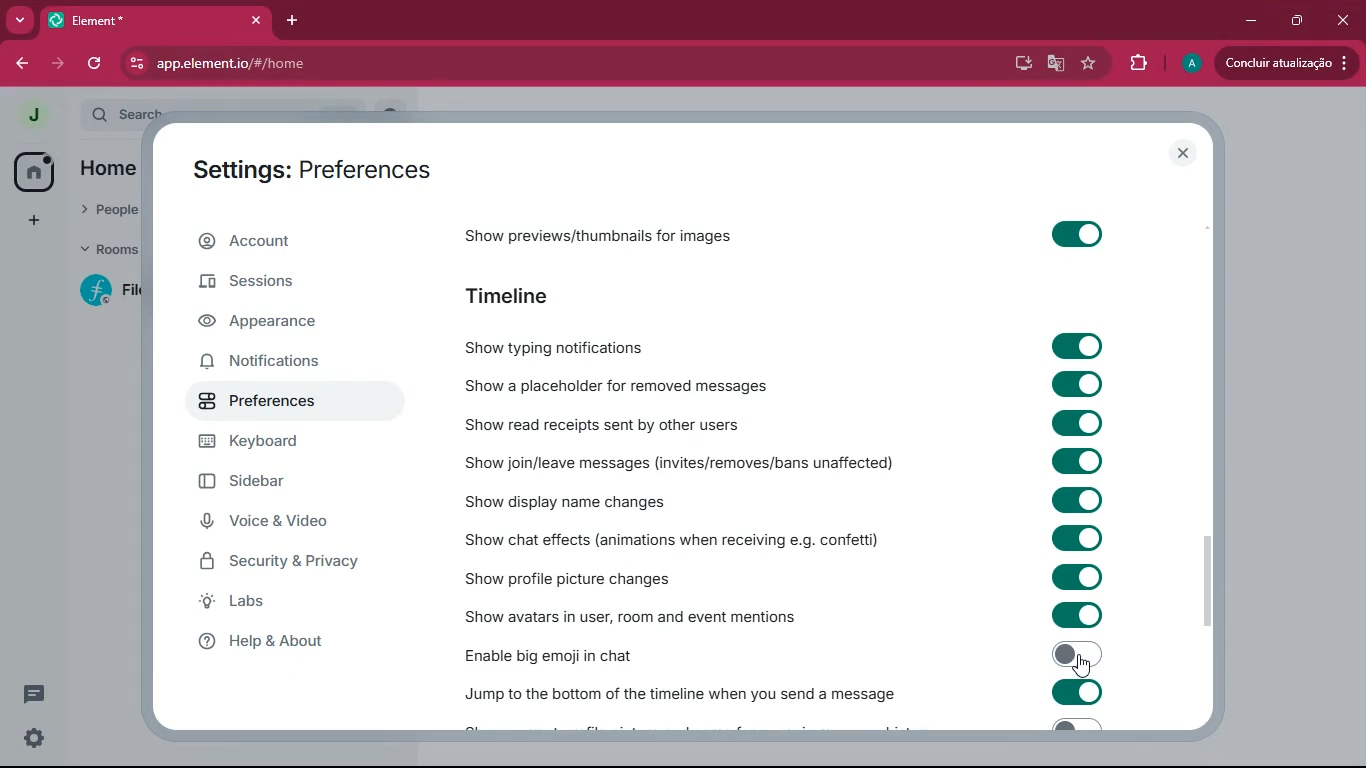  I want to click on keyboard, so click(277, 445).